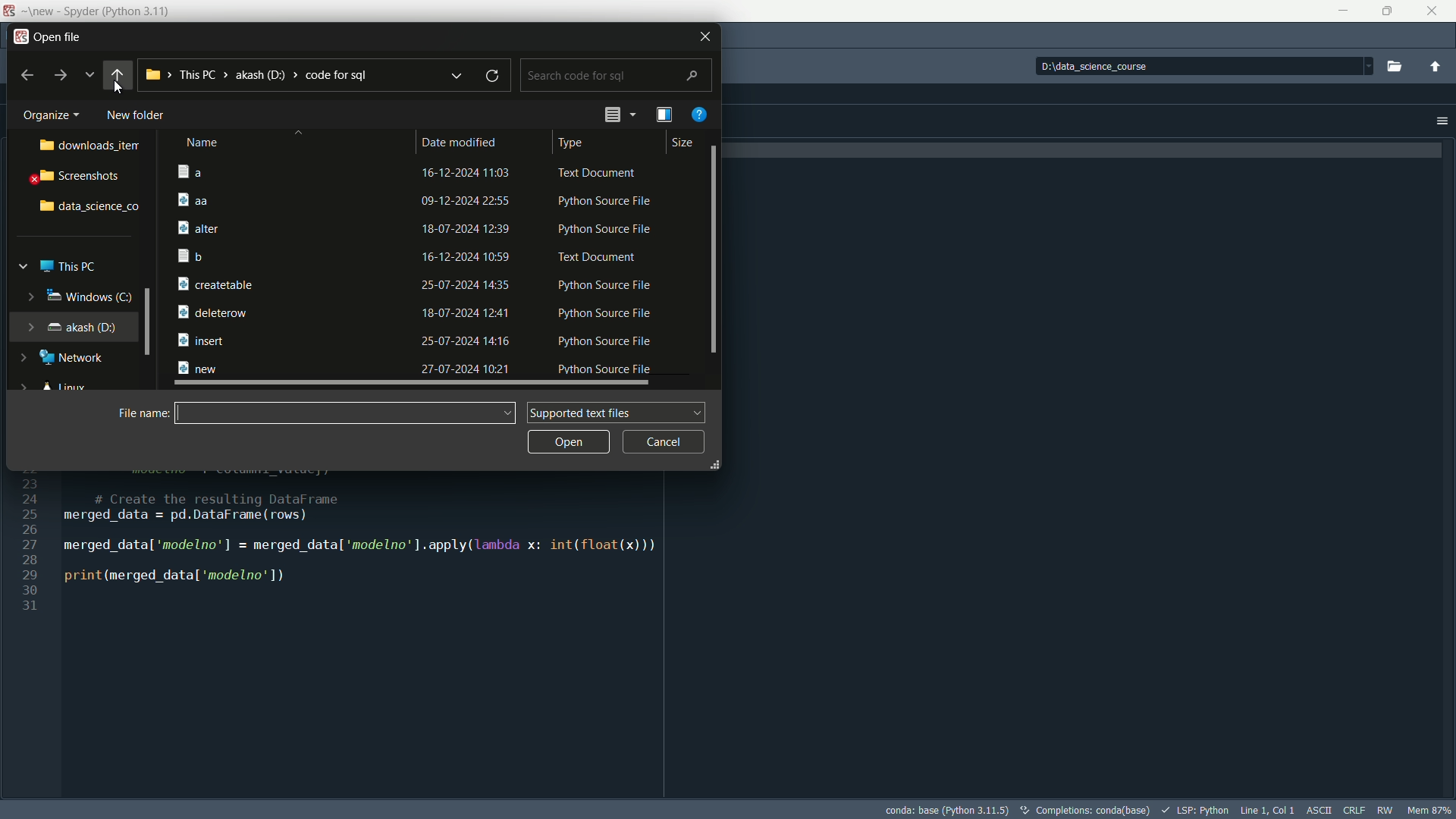  I want to click on recent locations, so click(90, 75).